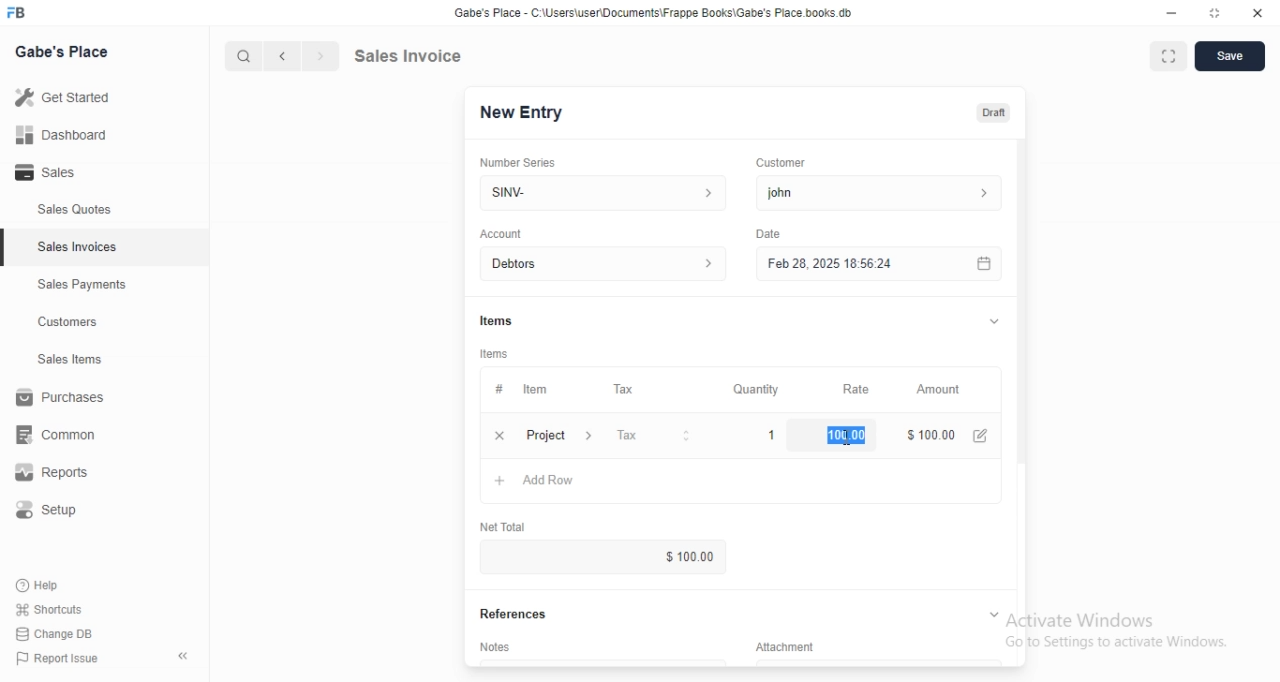 The height and width of the screenshot is (682, 1280). I want to click on ‘Net Total, so click(511, 524).